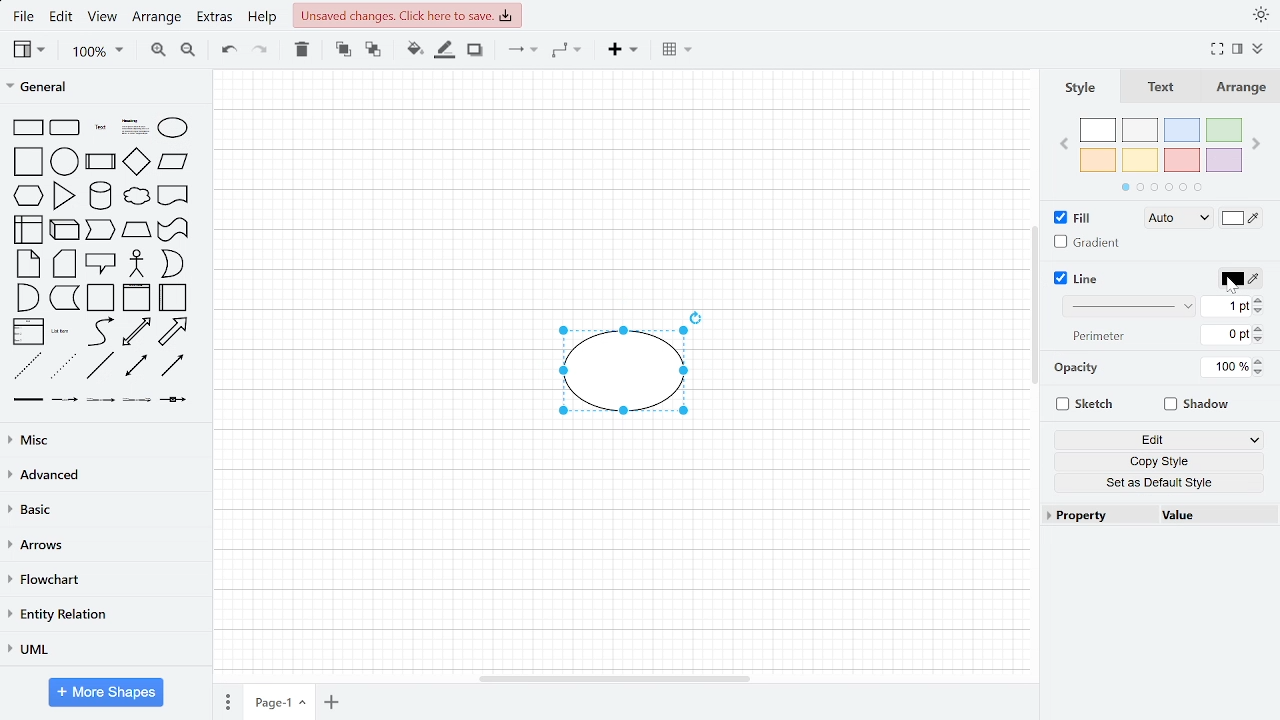 The image size is (1280, 720). I want to click on Gradient, so click(1089, 244).